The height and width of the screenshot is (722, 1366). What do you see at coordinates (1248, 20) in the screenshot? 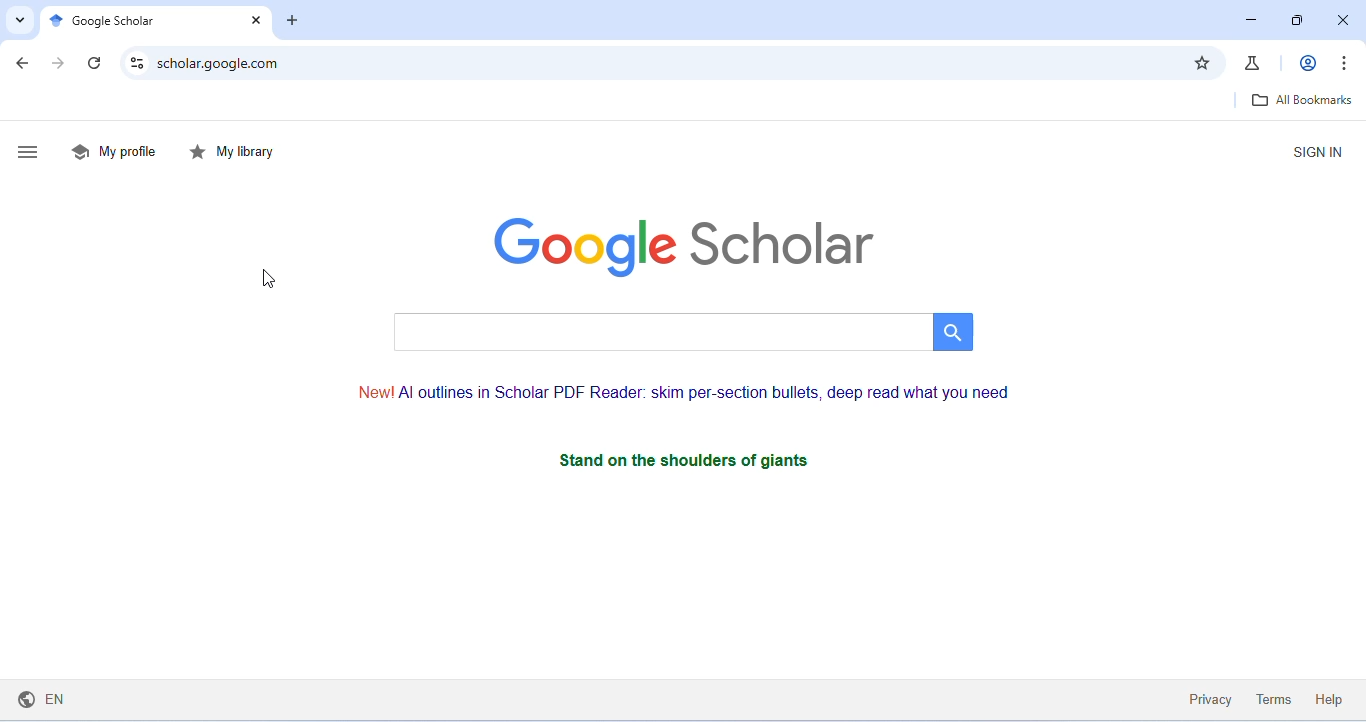
I see `minimize` at bounding box center [1248, 20].